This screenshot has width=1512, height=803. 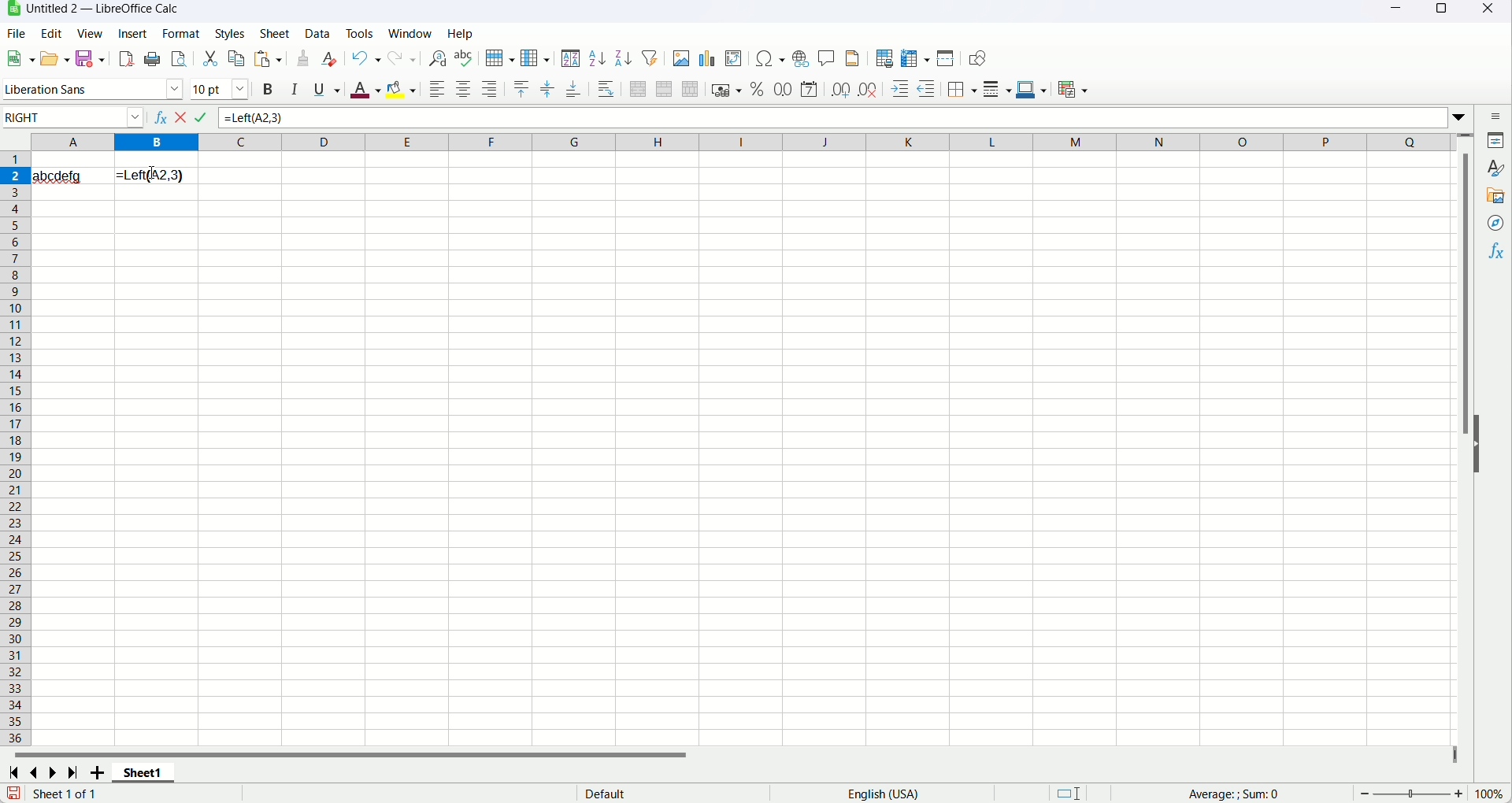 I want to click on border style, so click(x=999, y=90).